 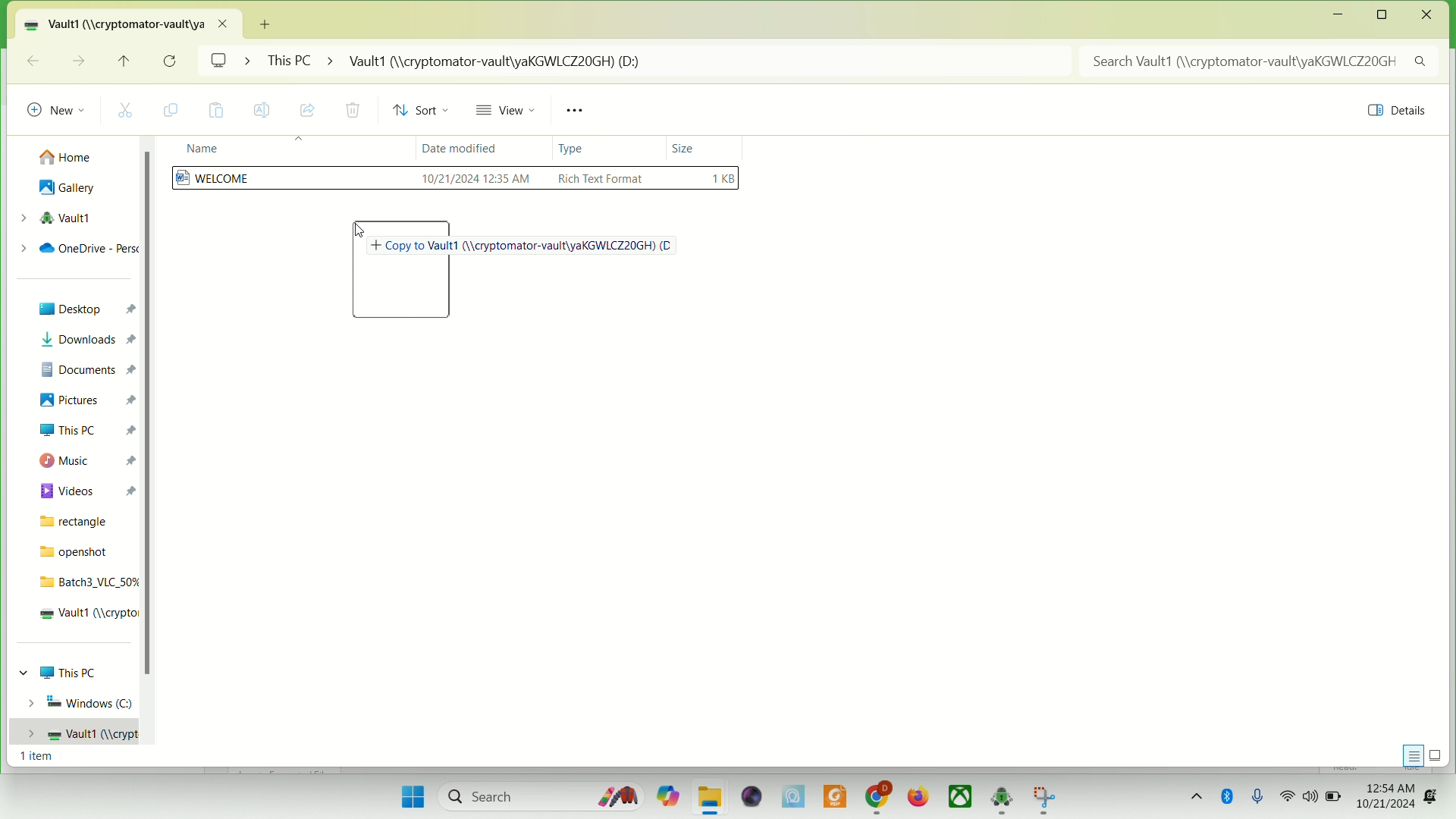 What do you see at coordinates (1427, 15) in the screenshot?
I see `close` at bounding box center [1427, 15].